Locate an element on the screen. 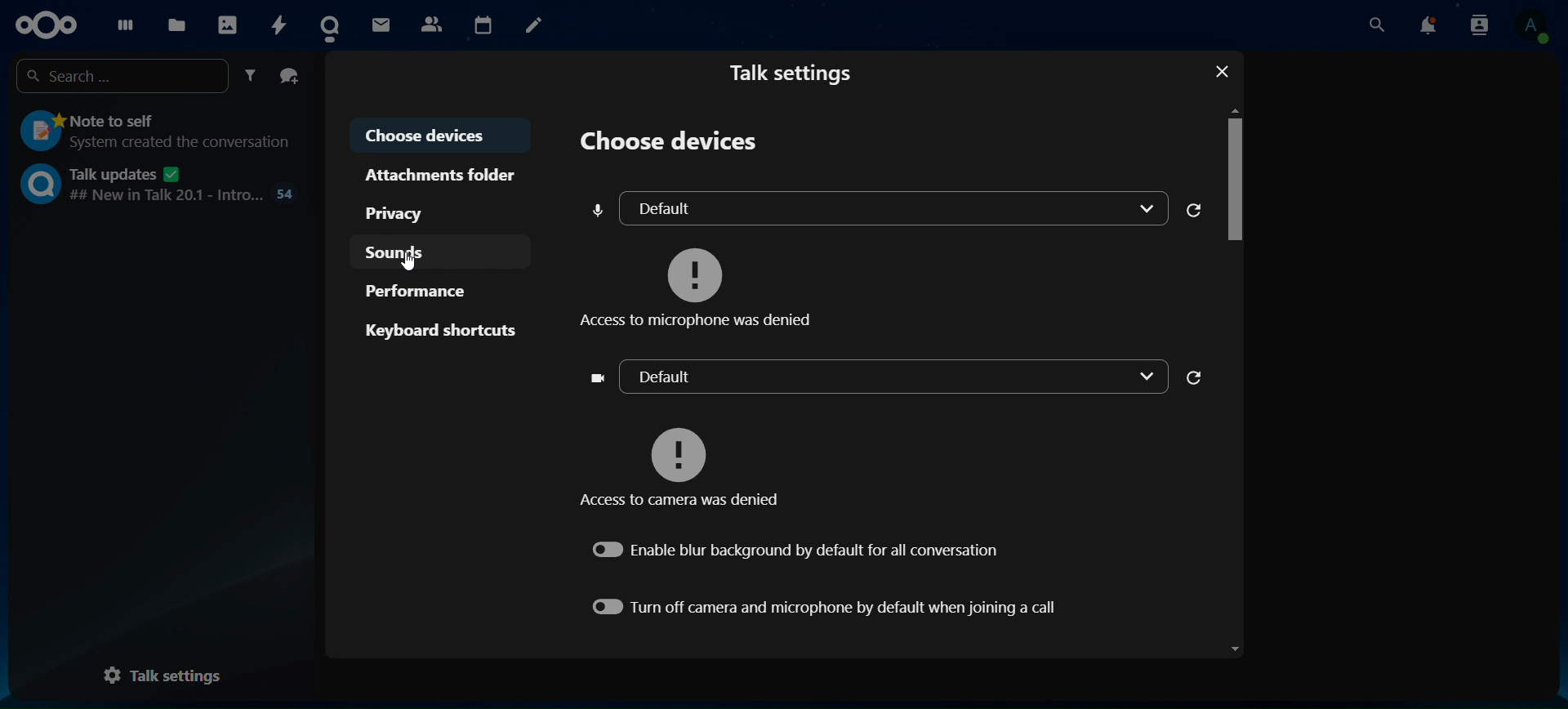  talk settings is located at coordinates (792, 71).